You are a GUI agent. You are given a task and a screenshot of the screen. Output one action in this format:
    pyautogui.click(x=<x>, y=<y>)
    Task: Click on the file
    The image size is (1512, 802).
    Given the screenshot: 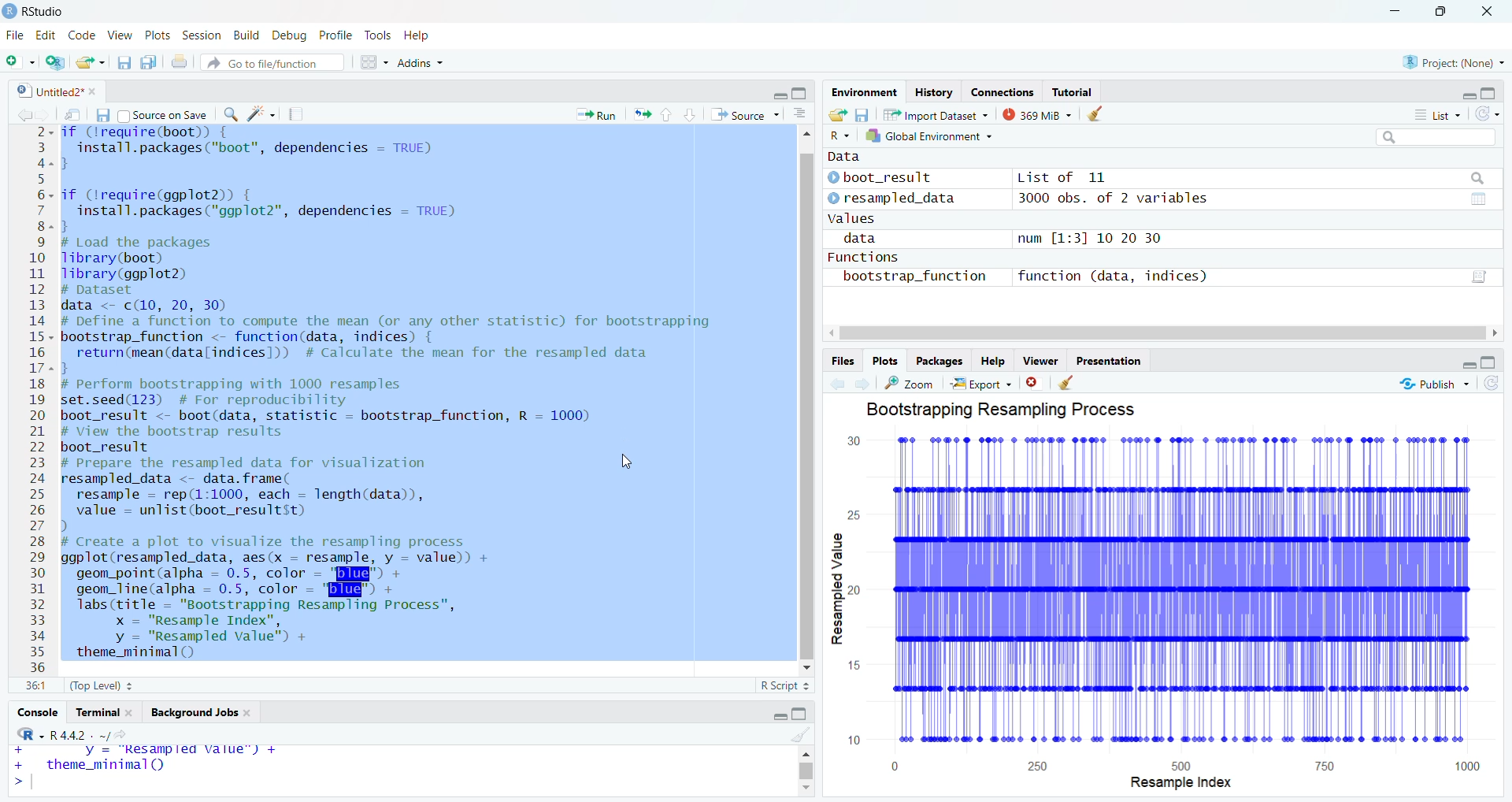 What is the action you would take?
    pyautogui.click(x=13, y=33)
    